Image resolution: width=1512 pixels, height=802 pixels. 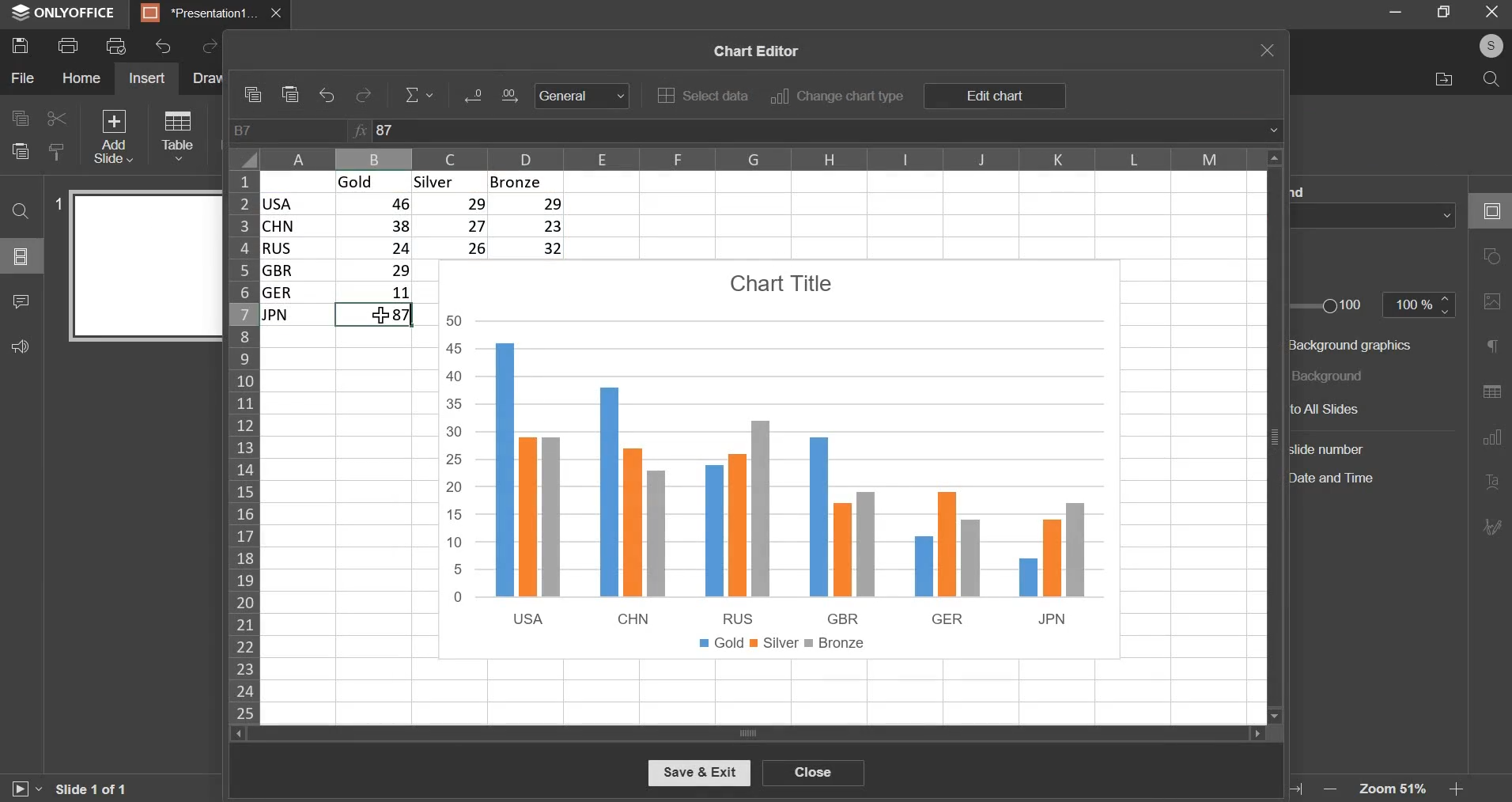 What do you see at coordinates (1355, 344) in the screenshot?
I see `background graphics` at bounding box center [1355, 344].